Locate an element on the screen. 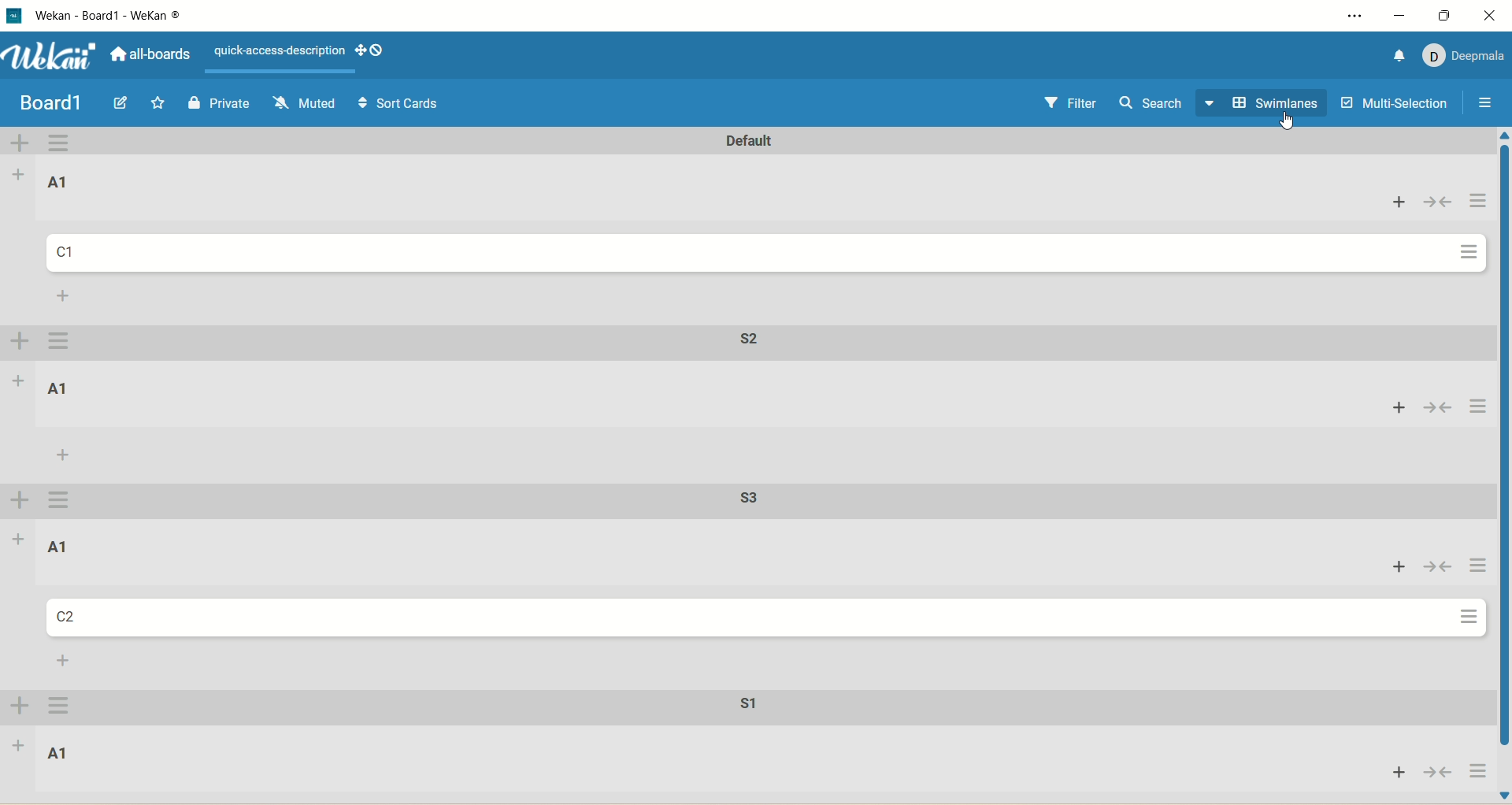 Image resolution: width=1512 pixels, height=805 pixels. open/close sidebar is located at coordinates (1486, 106).